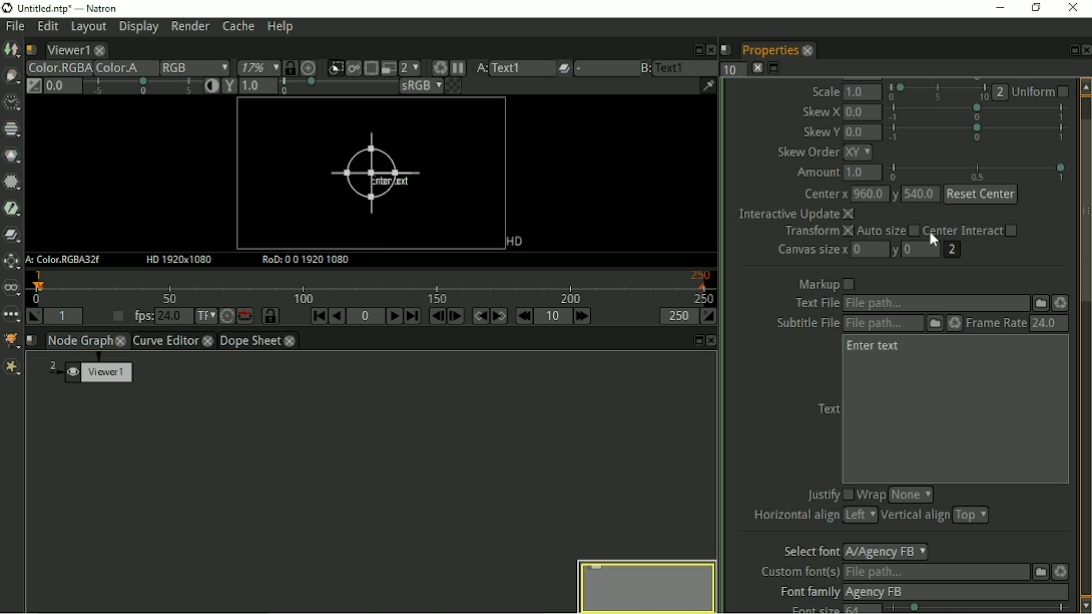 This screenshot has height=614, width=1092. Describe the element at coordinates (862, 112) in the screenshot. I see `0.0` at that location.